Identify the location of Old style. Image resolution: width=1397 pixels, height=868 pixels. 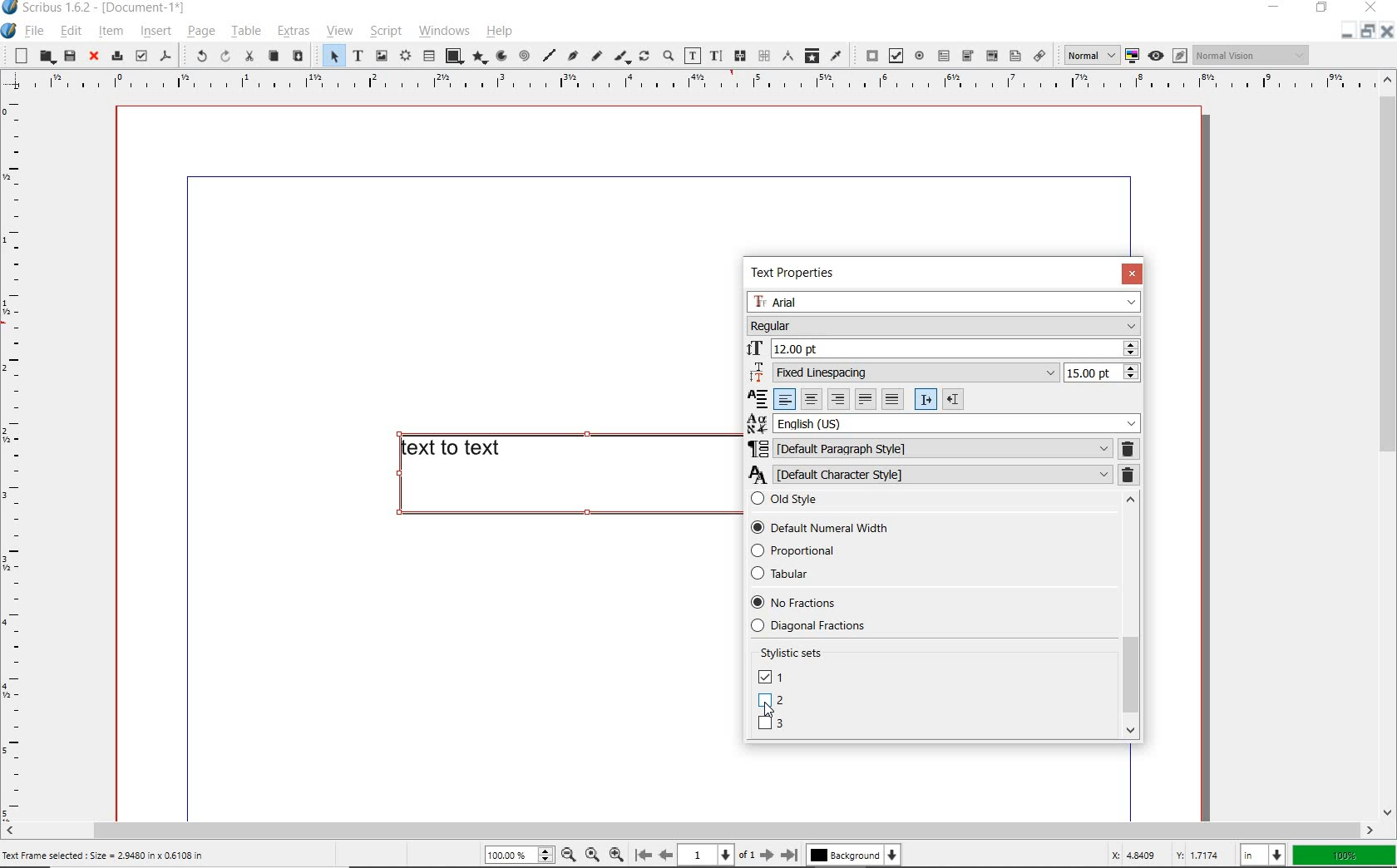
(930, 504).